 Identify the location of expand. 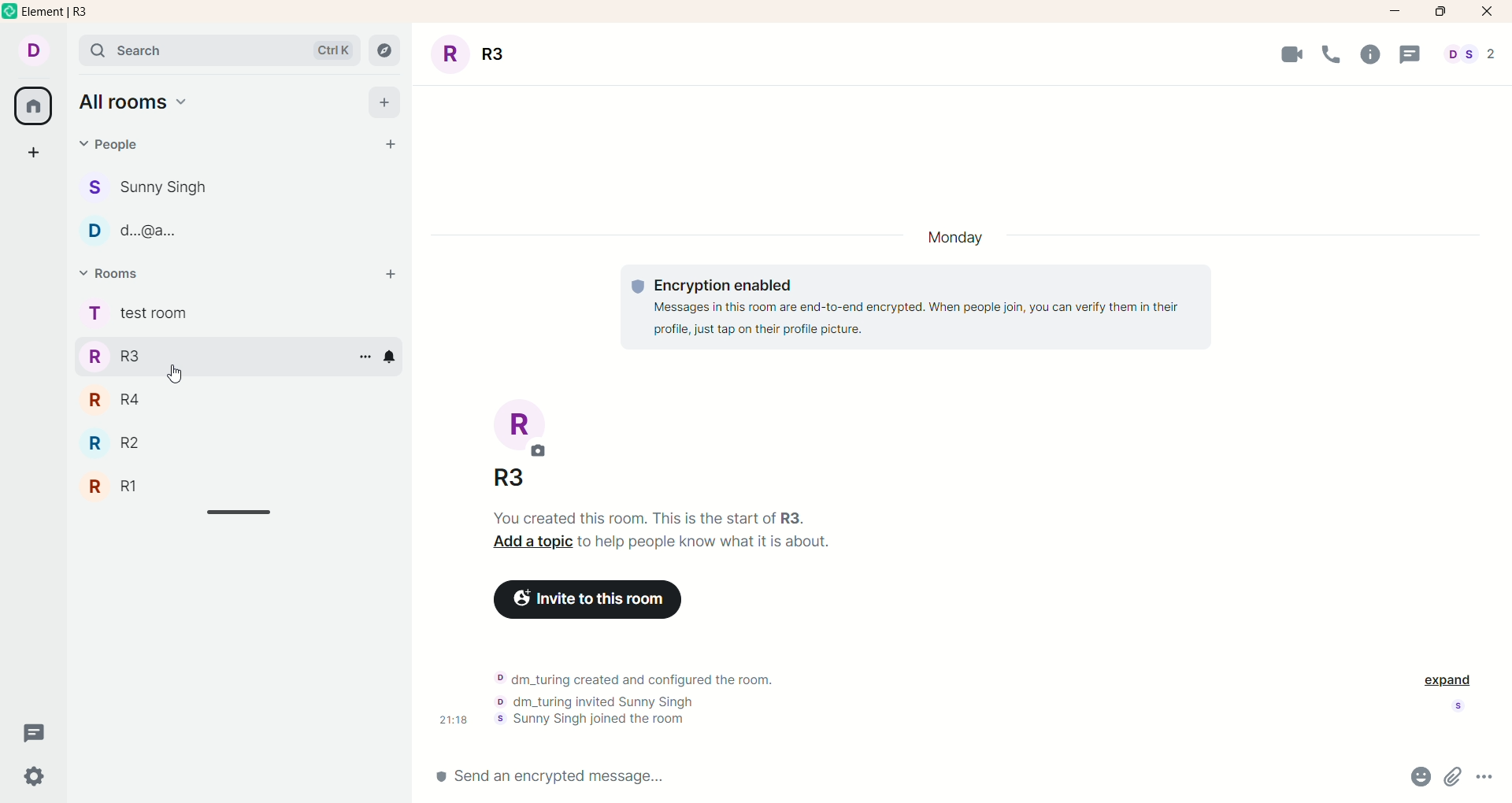
(1448, 682).